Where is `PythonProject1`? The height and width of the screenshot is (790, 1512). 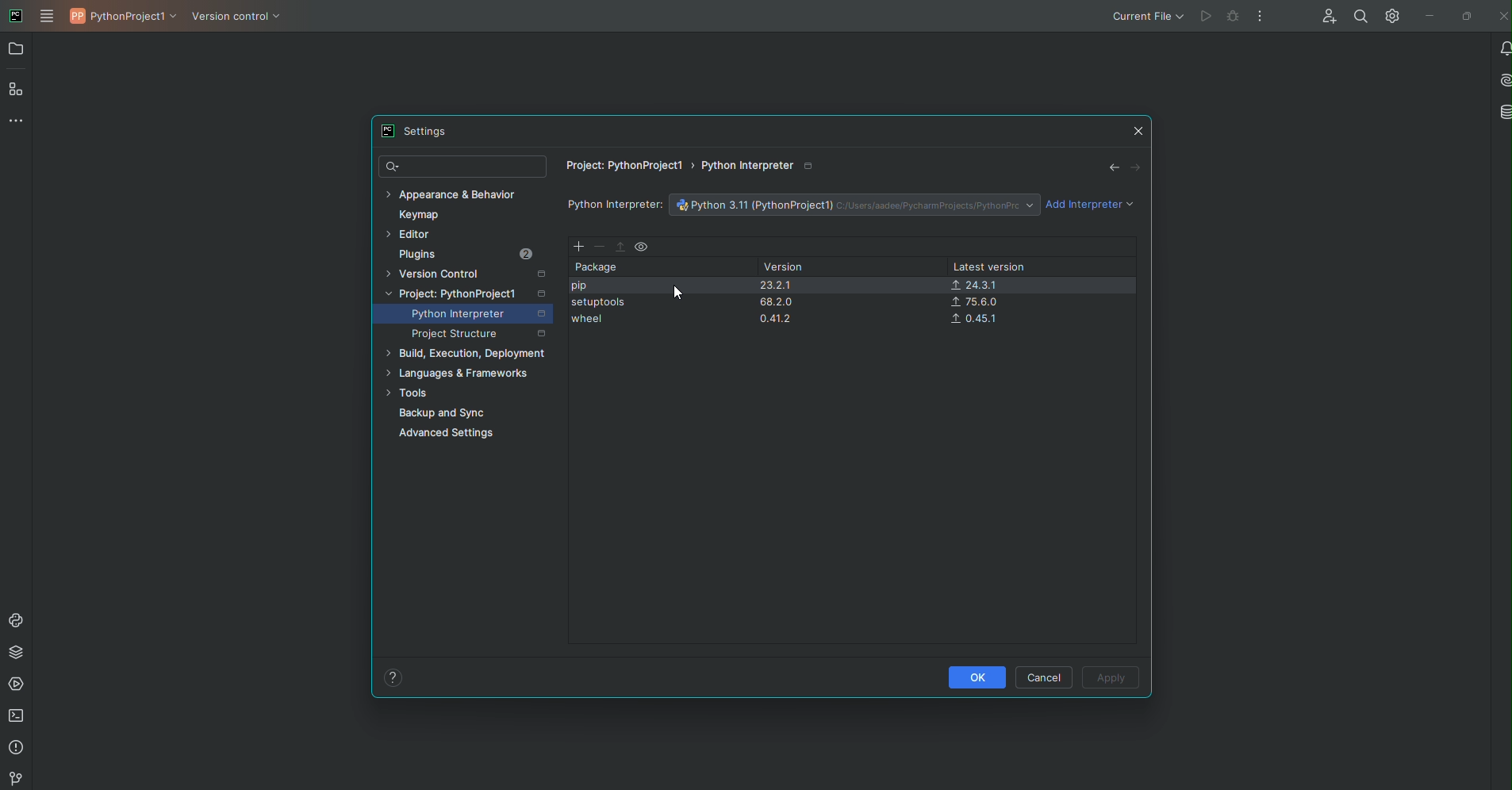
PythonProject1 is located at coordinates (125, 19).